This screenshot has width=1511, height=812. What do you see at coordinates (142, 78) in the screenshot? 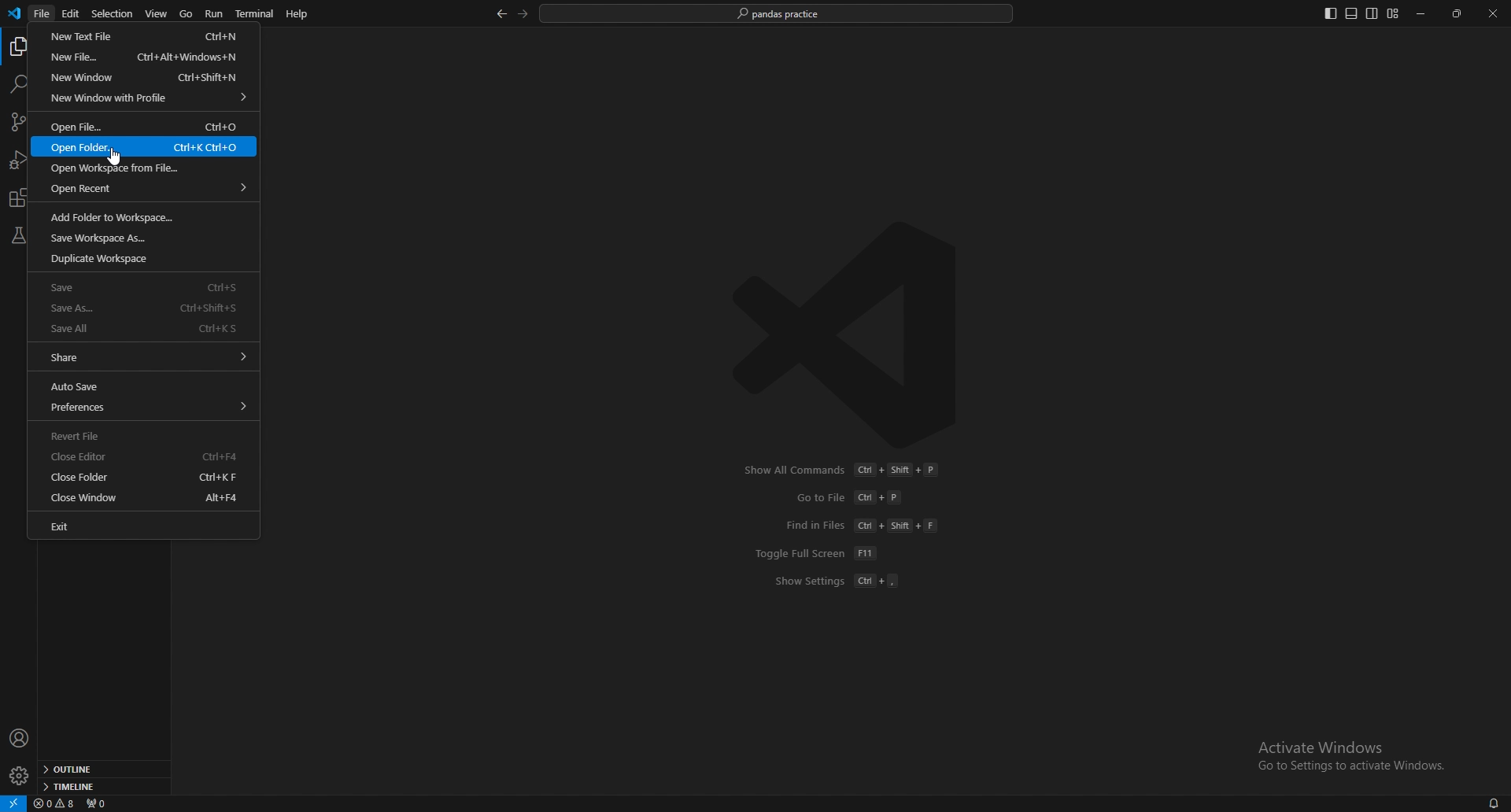
I see `new window` at bounding box center [142, 78].